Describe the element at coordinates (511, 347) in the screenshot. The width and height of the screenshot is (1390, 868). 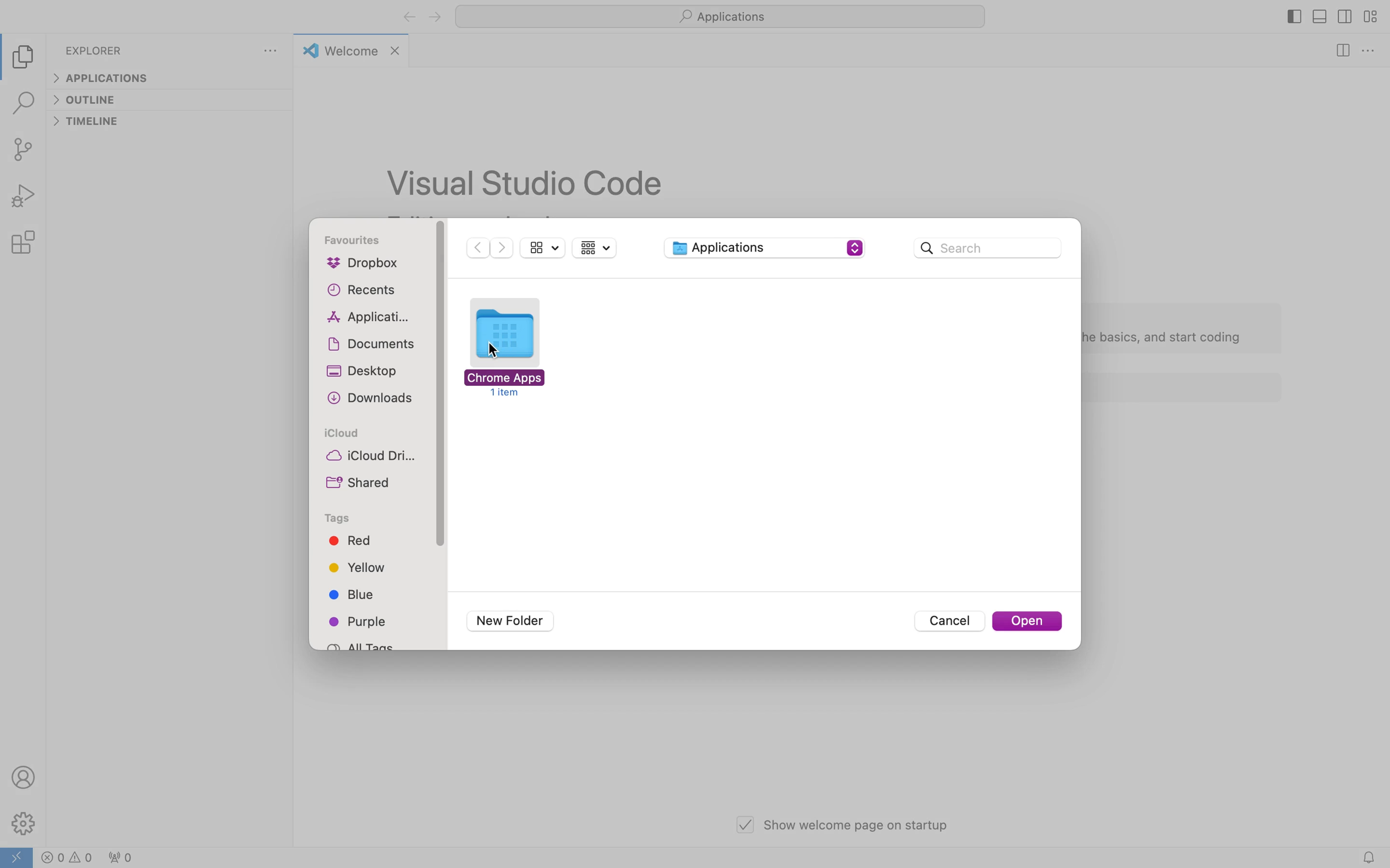
I see `folder to open` at that location.